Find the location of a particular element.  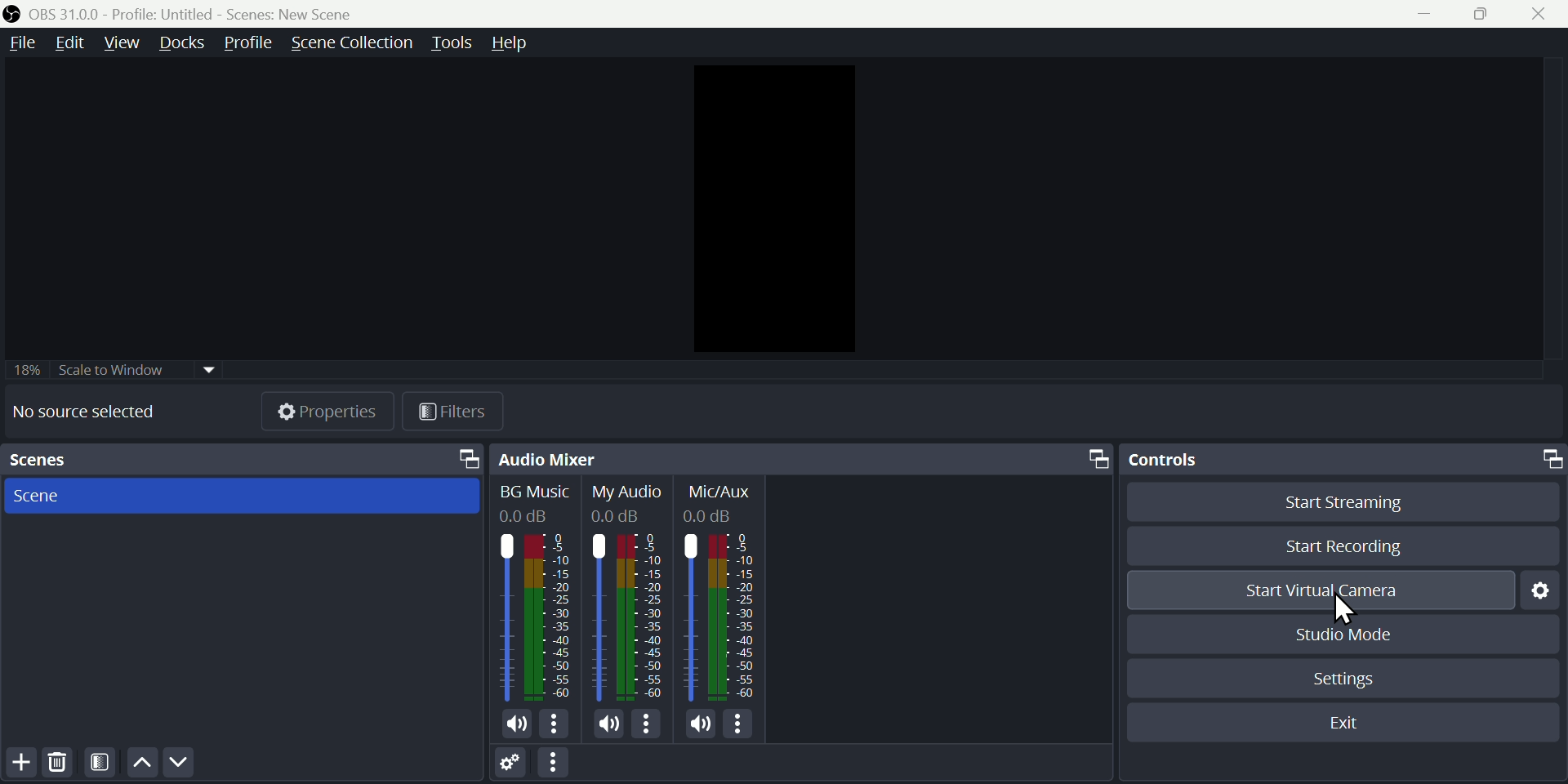

Studio mode is located at coordinates (1352, 635).